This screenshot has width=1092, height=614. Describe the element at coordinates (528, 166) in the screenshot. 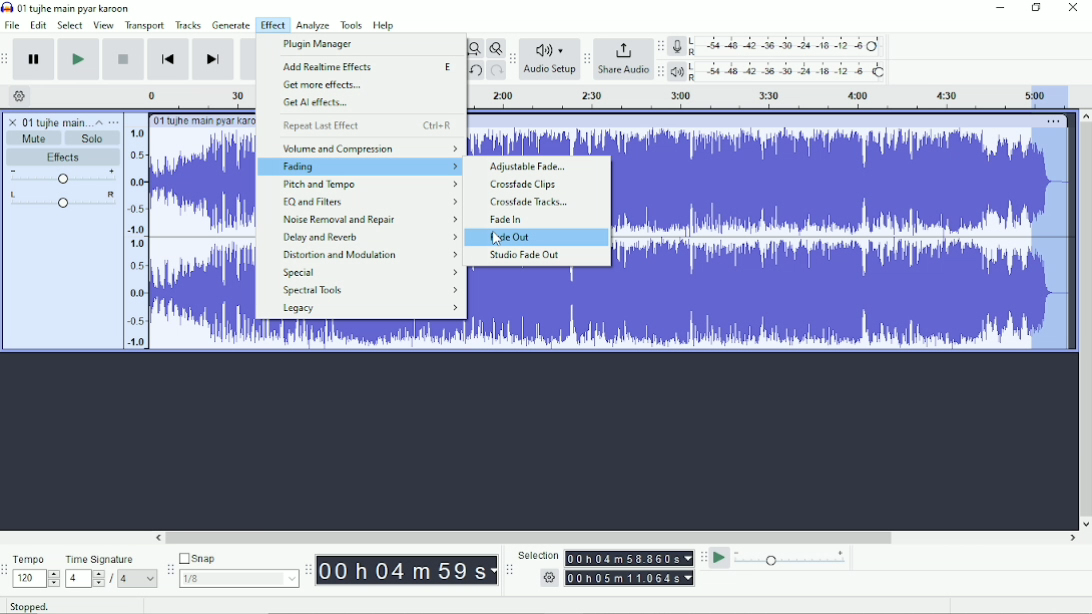

I see `Adjustable Fade` at that location.